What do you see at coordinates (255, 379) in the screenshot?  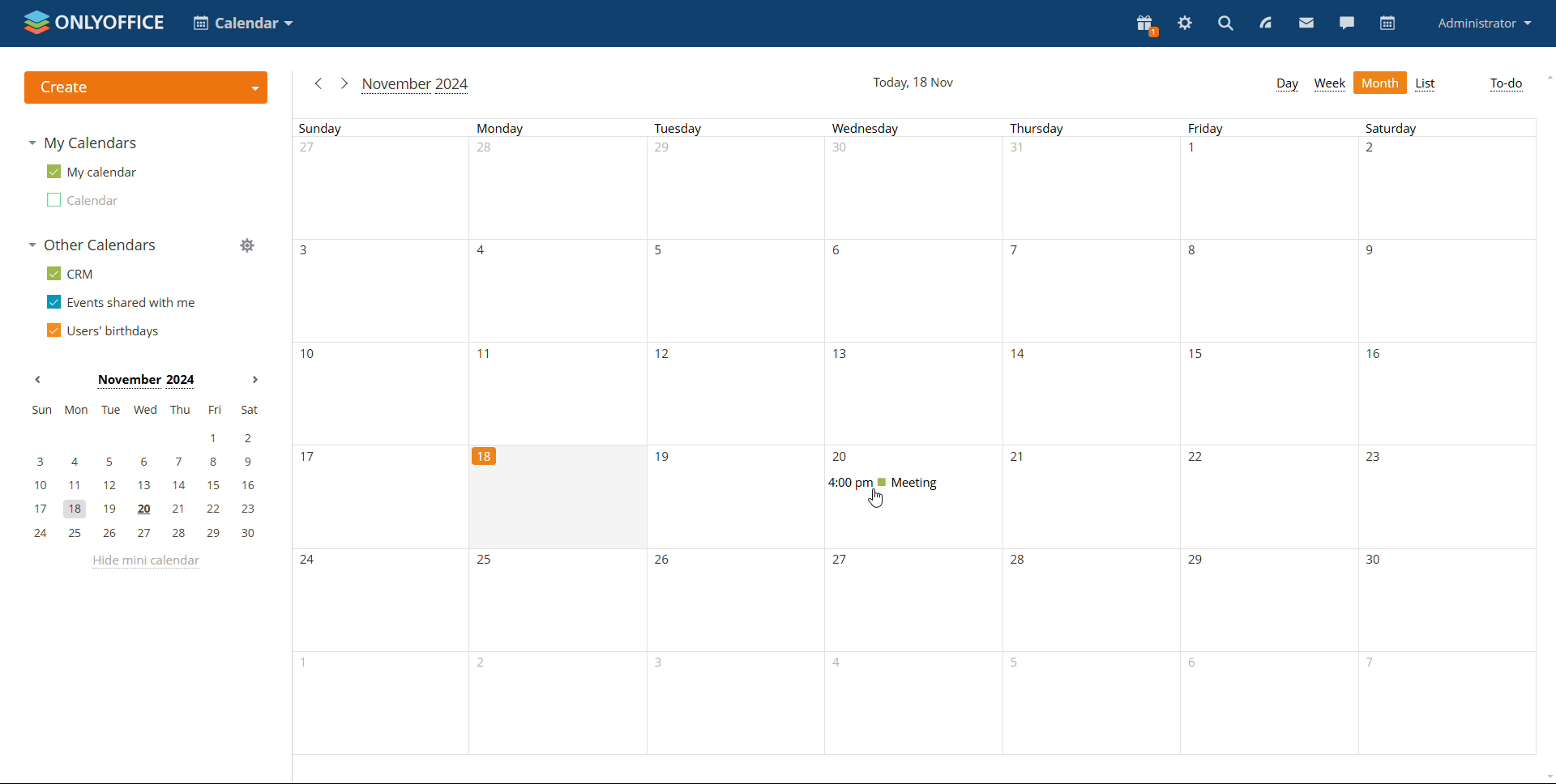 I see `next month` at bounding box center [255, 379].